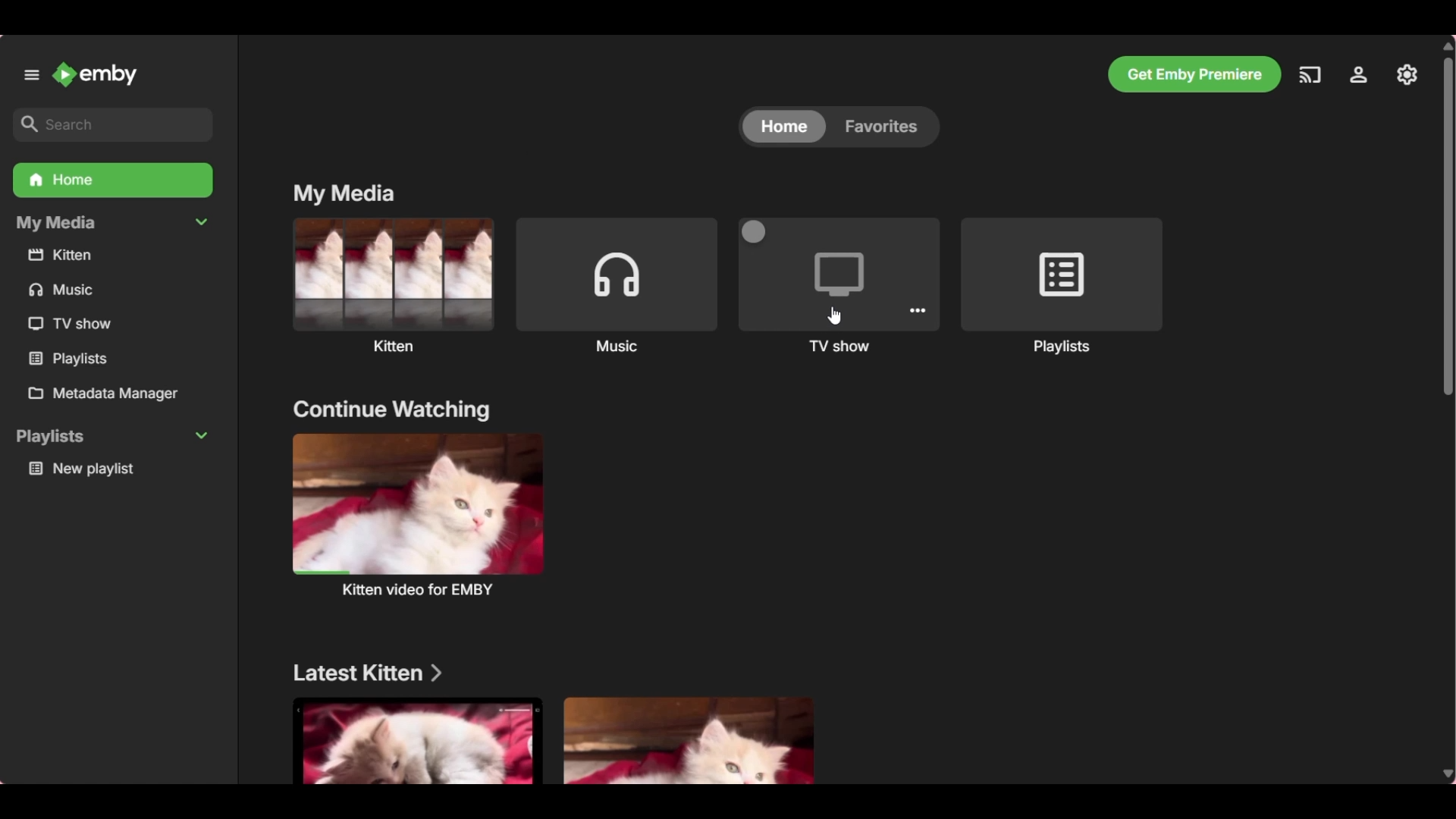 The image size is (1456, 819). What do you see at coordinates (1195, 74) in the screenshot?
I see `Get Emby premiere` at bounding box center [1195, 74].